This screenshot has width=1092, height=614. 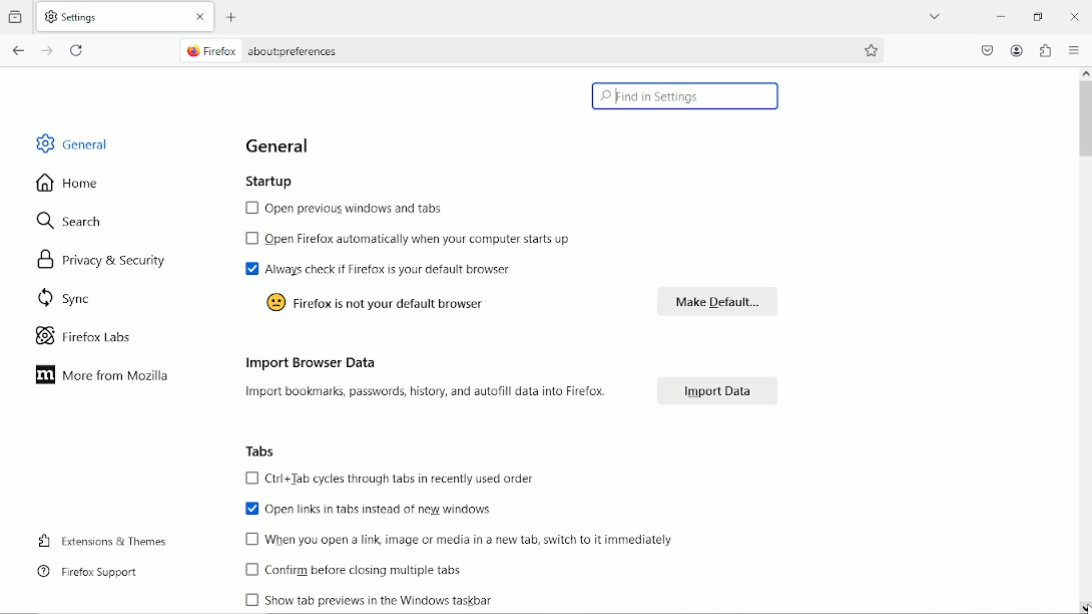 What do you see at coordinates (71, 143) in the screenshot?
I see `general` at bounding box center [71, 143].